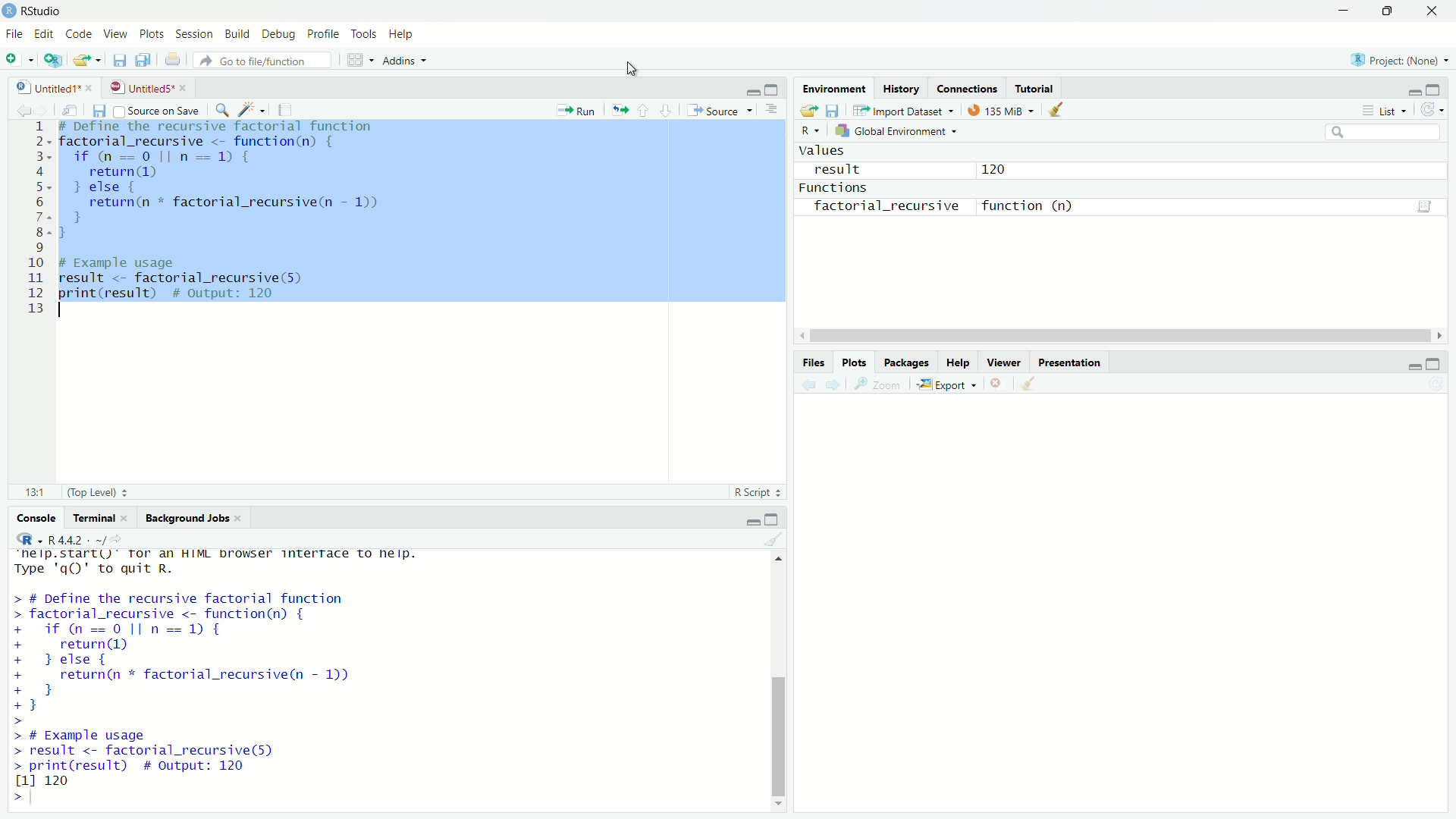 The image size is (1456, 819). What do you see at coordinates (143, 87) in the screenshot?
I see `Untitled5*` at bounding box center [143, 87].